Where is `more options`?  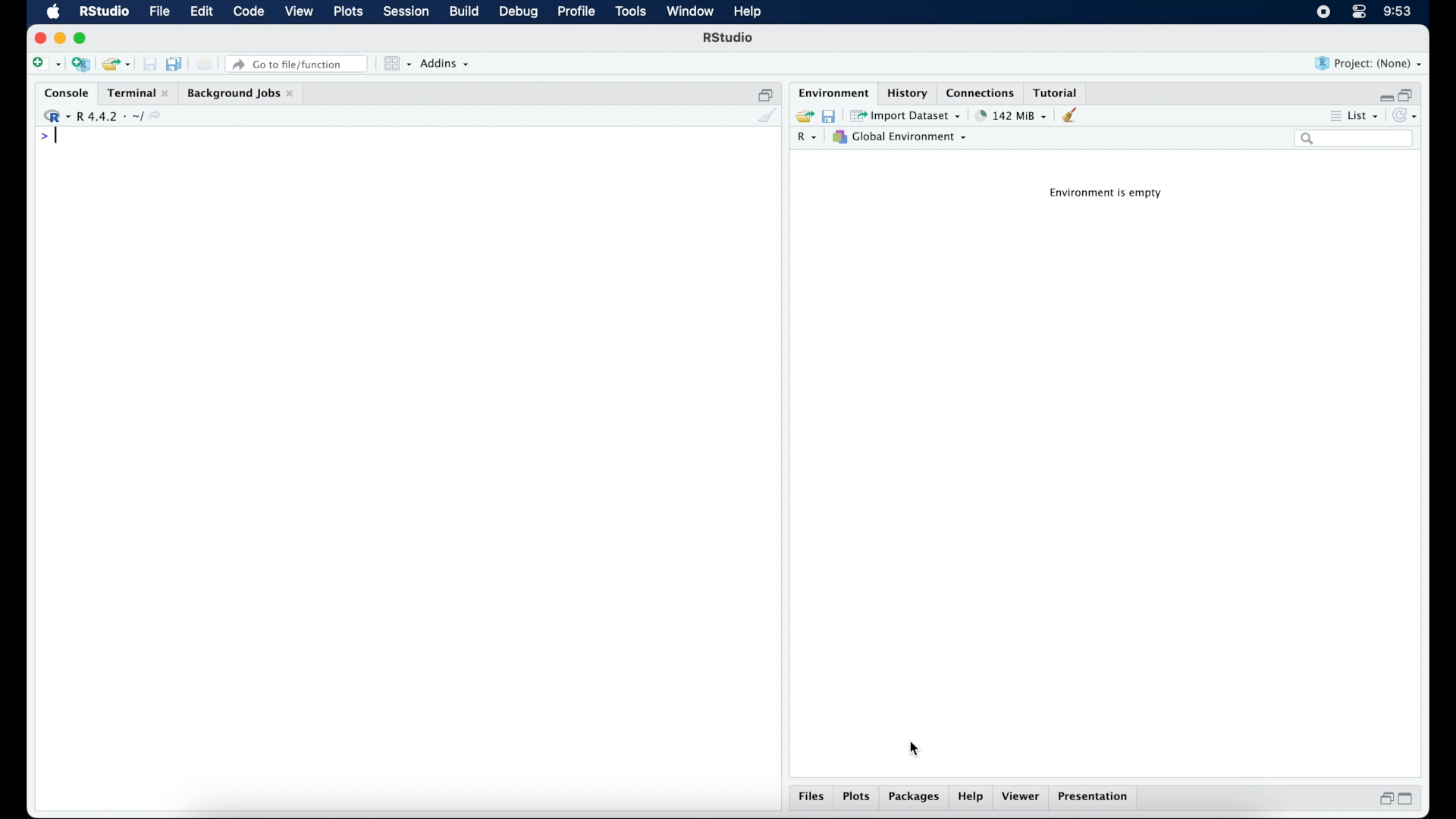 more options is located at coordinates (1333, 115).